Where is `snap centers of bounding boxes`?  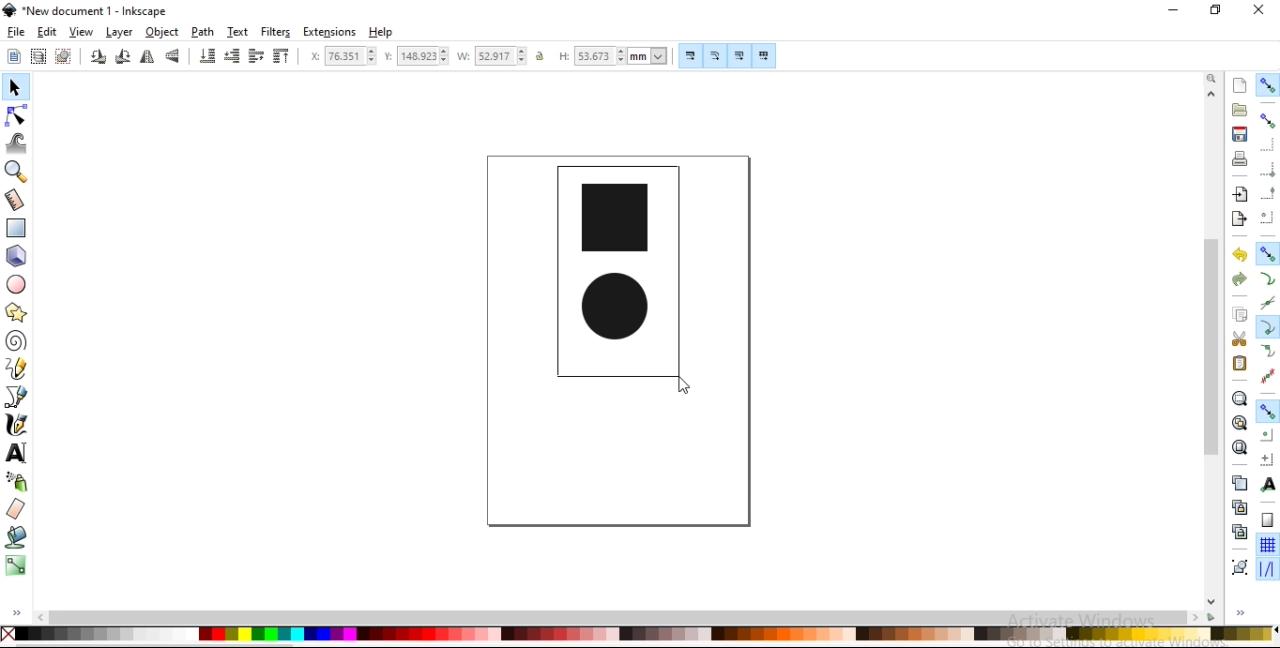 snap centers of bounding boxes is located at coordinates (1265, 216).